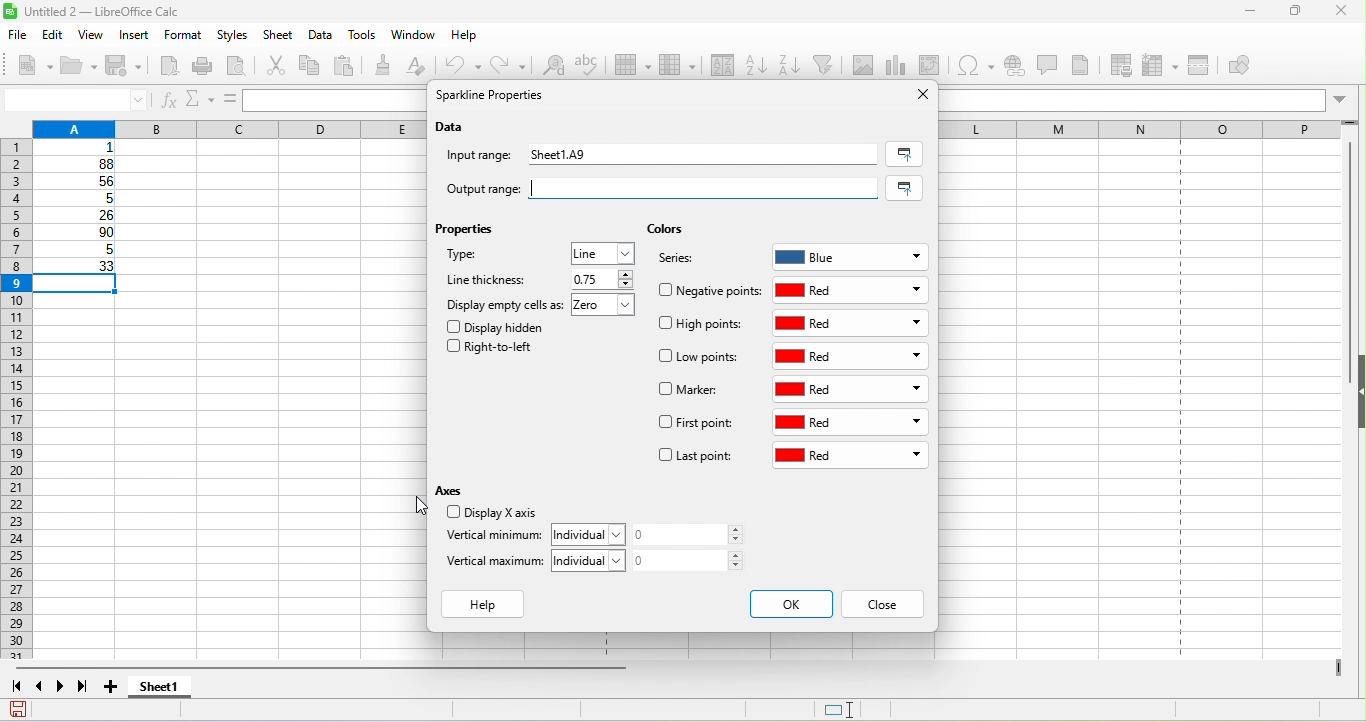 The image size is (1366, 722). Describe the element at coordinates (28, 64) in the screenshot. I see `new` at that location.